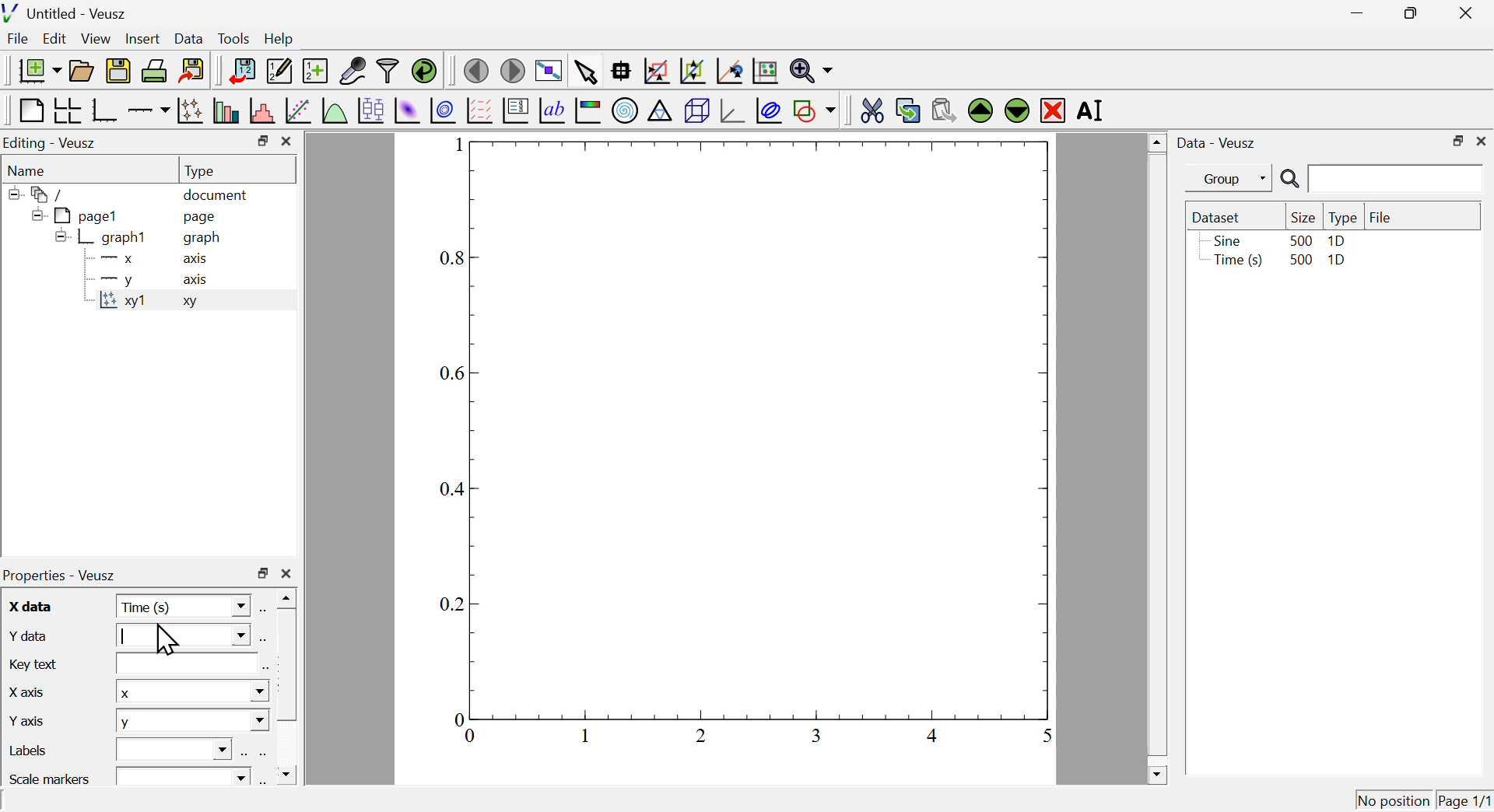 The width and height of the screenshot is (1494, 812). Describe the element at coordinates (189, 37) in the screenshot. I see `Data` at that location.